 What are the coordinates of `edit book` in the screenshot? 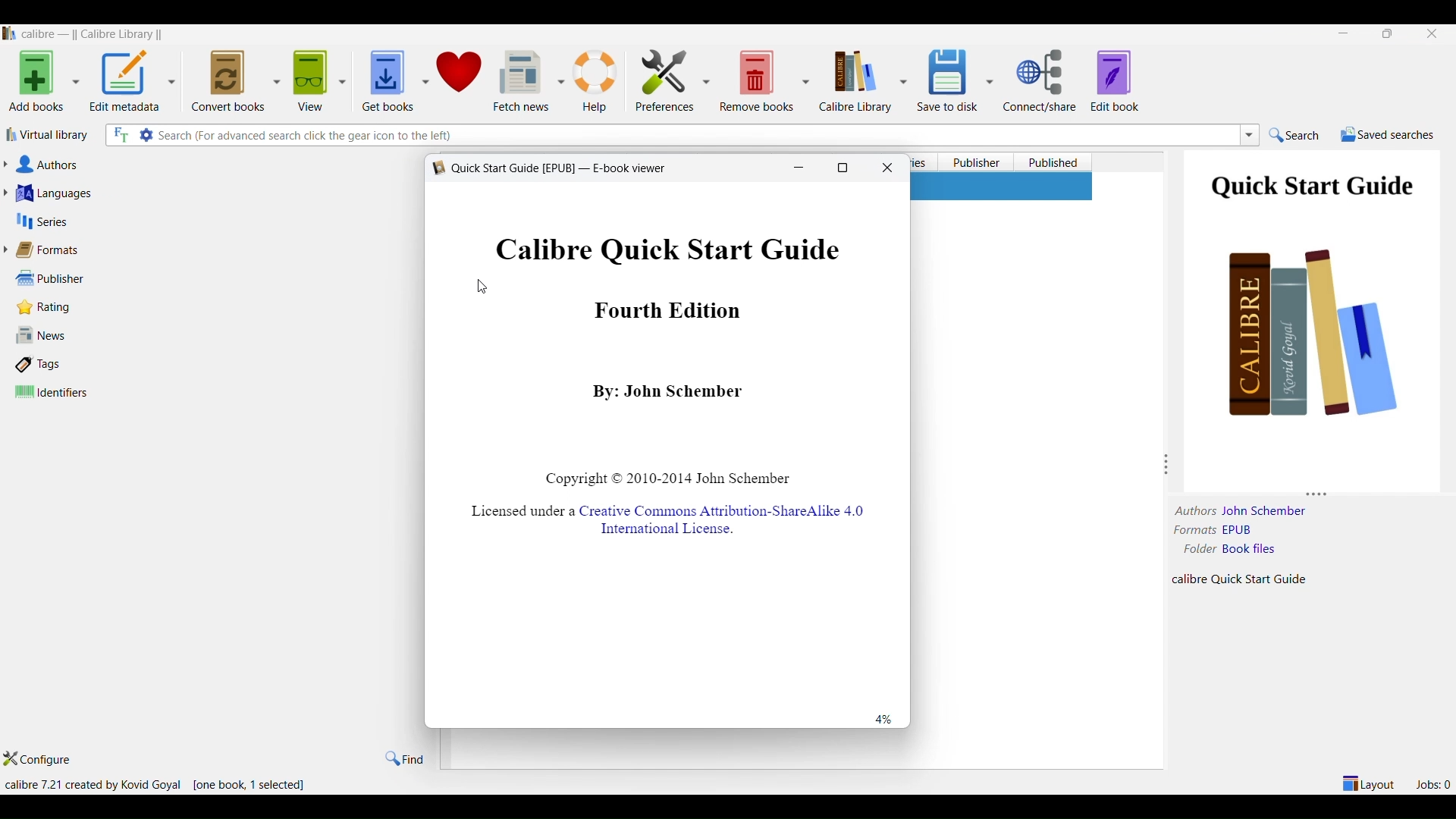 It's located at (1119, 82).